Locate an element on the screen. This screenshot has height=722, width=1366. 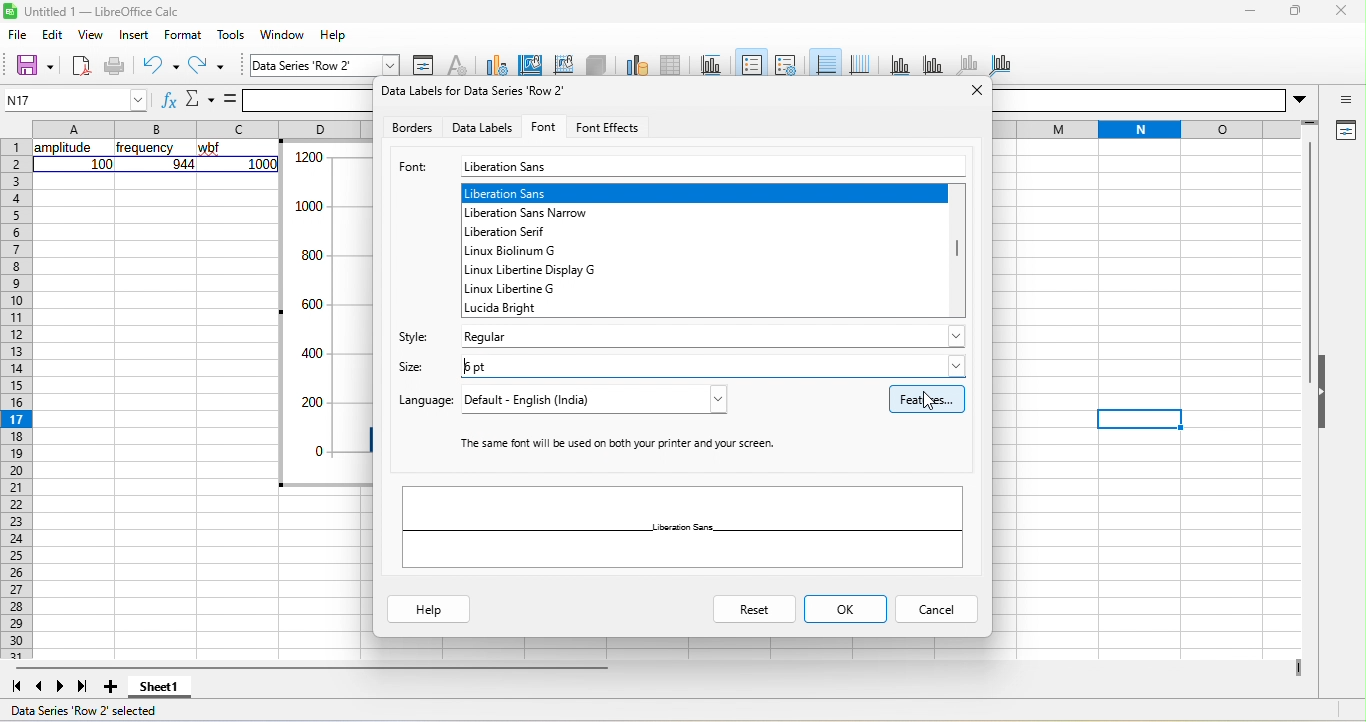
liberation sans is located at coordinates (704, 191).